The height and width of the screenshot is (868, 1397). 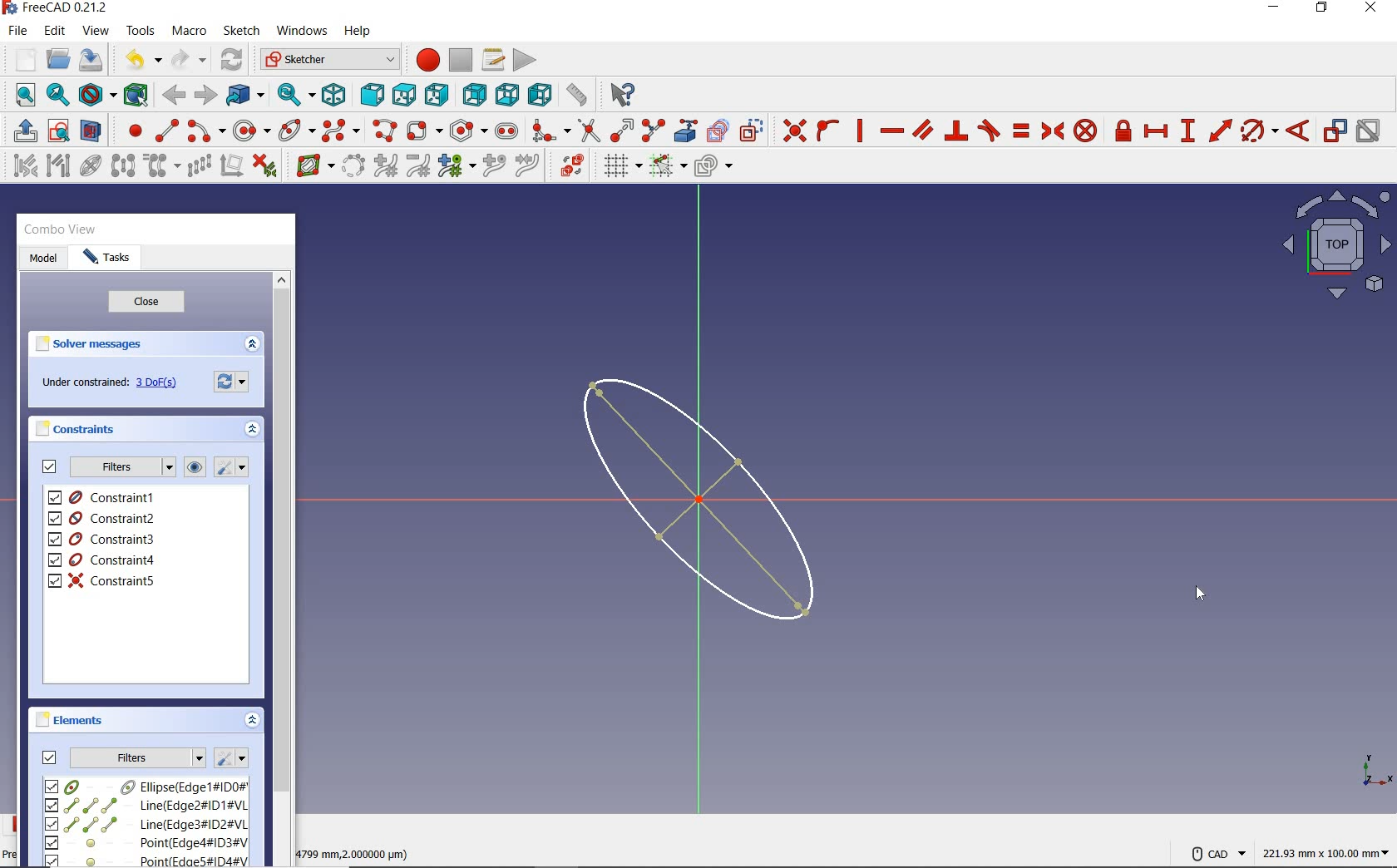 I want to click on constrain coincident, so click(x=790, y=131).